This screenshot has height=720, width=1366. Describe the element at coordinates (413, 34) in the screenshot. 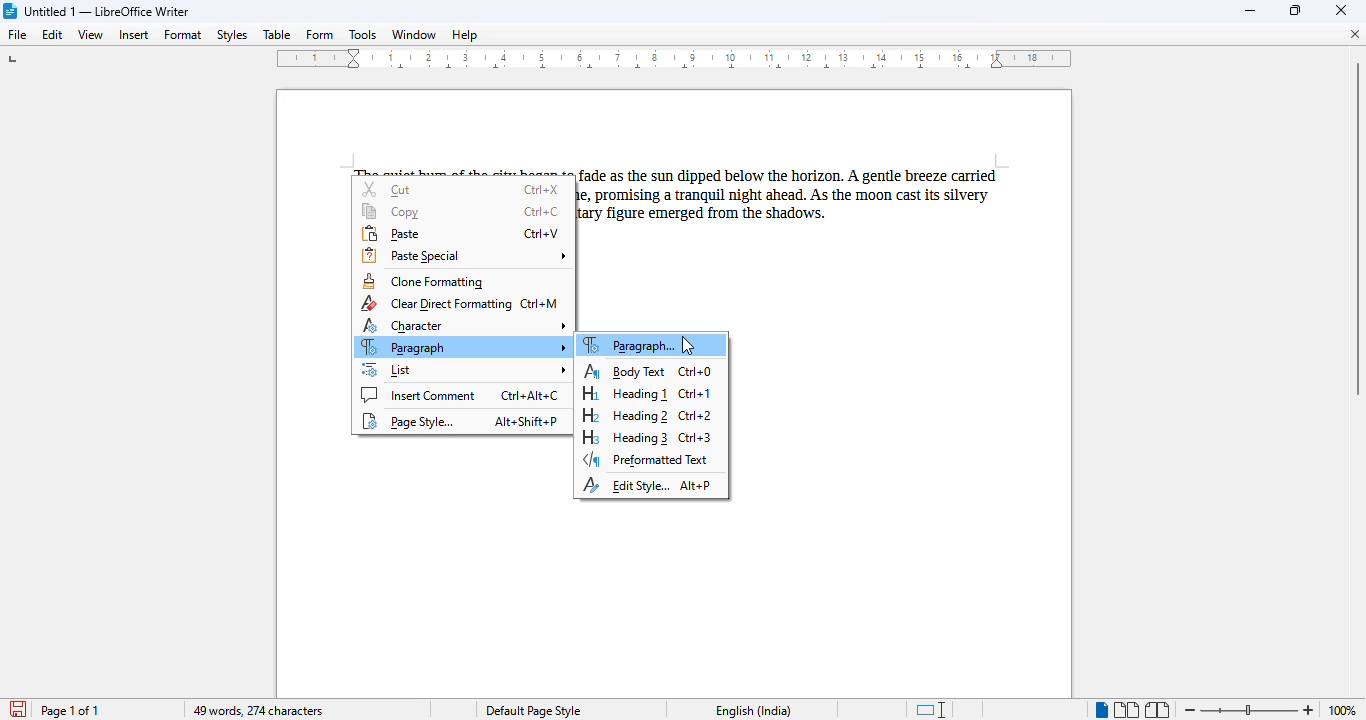

I see `window` at that location.